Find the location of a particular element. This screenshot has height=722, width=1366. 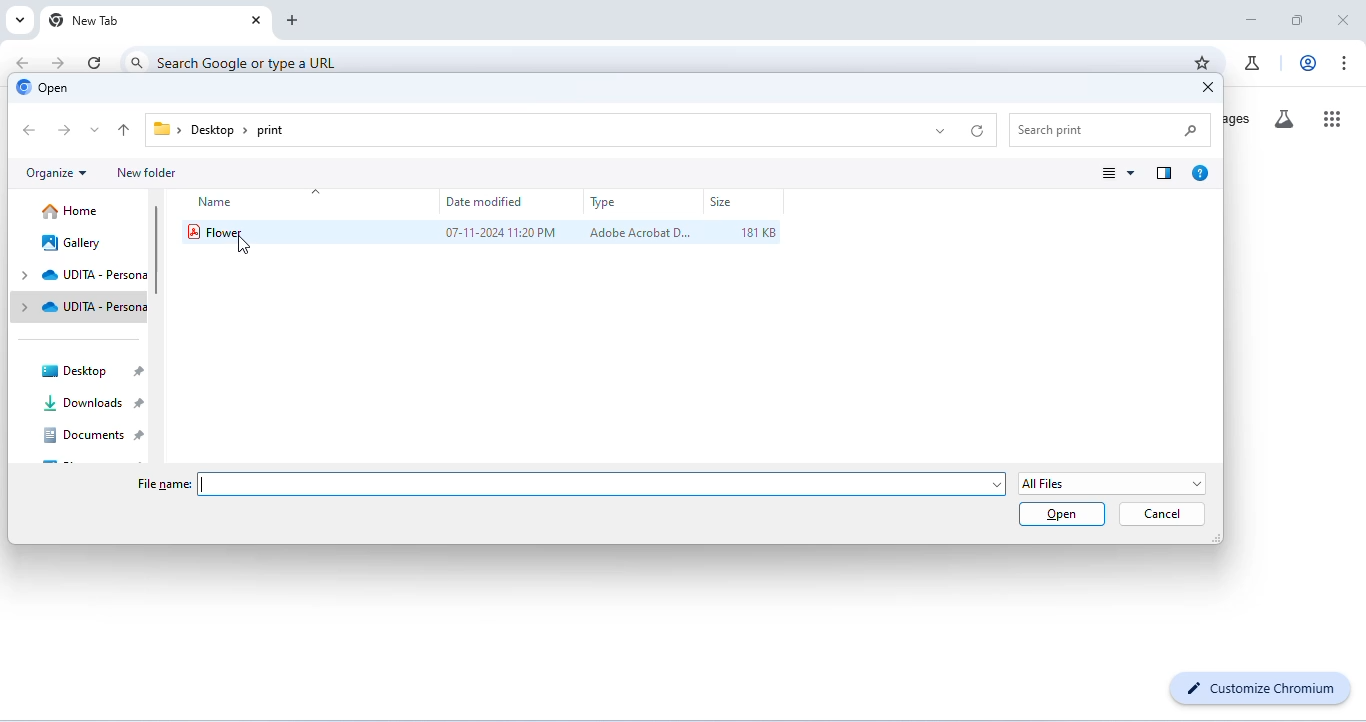

customize chromium is located at coordinates (1258, 689).